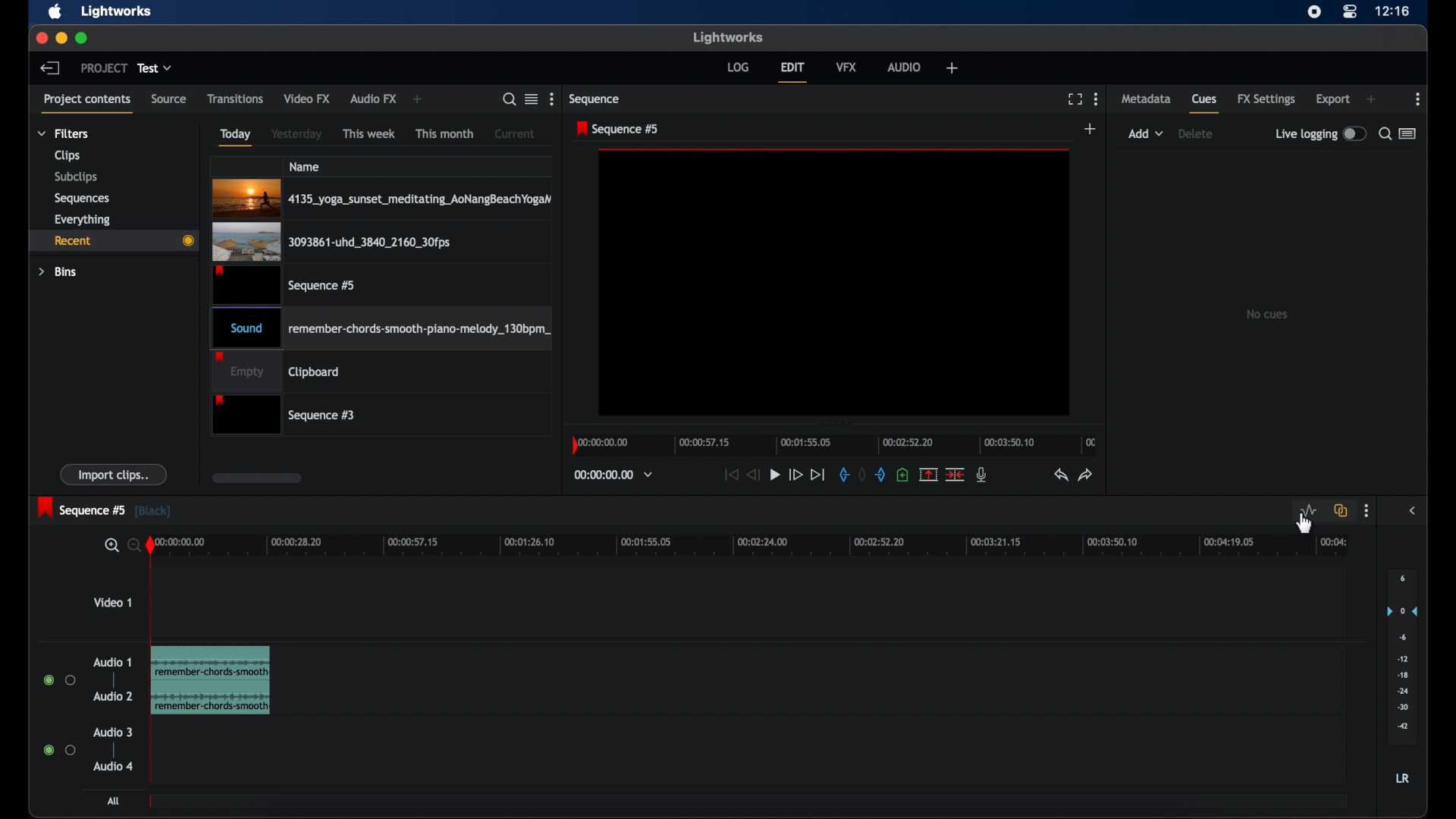  What do you see at coordinates (861, 475) in the screenshot?
I see `clear marks` at bounding box center [861, 475].